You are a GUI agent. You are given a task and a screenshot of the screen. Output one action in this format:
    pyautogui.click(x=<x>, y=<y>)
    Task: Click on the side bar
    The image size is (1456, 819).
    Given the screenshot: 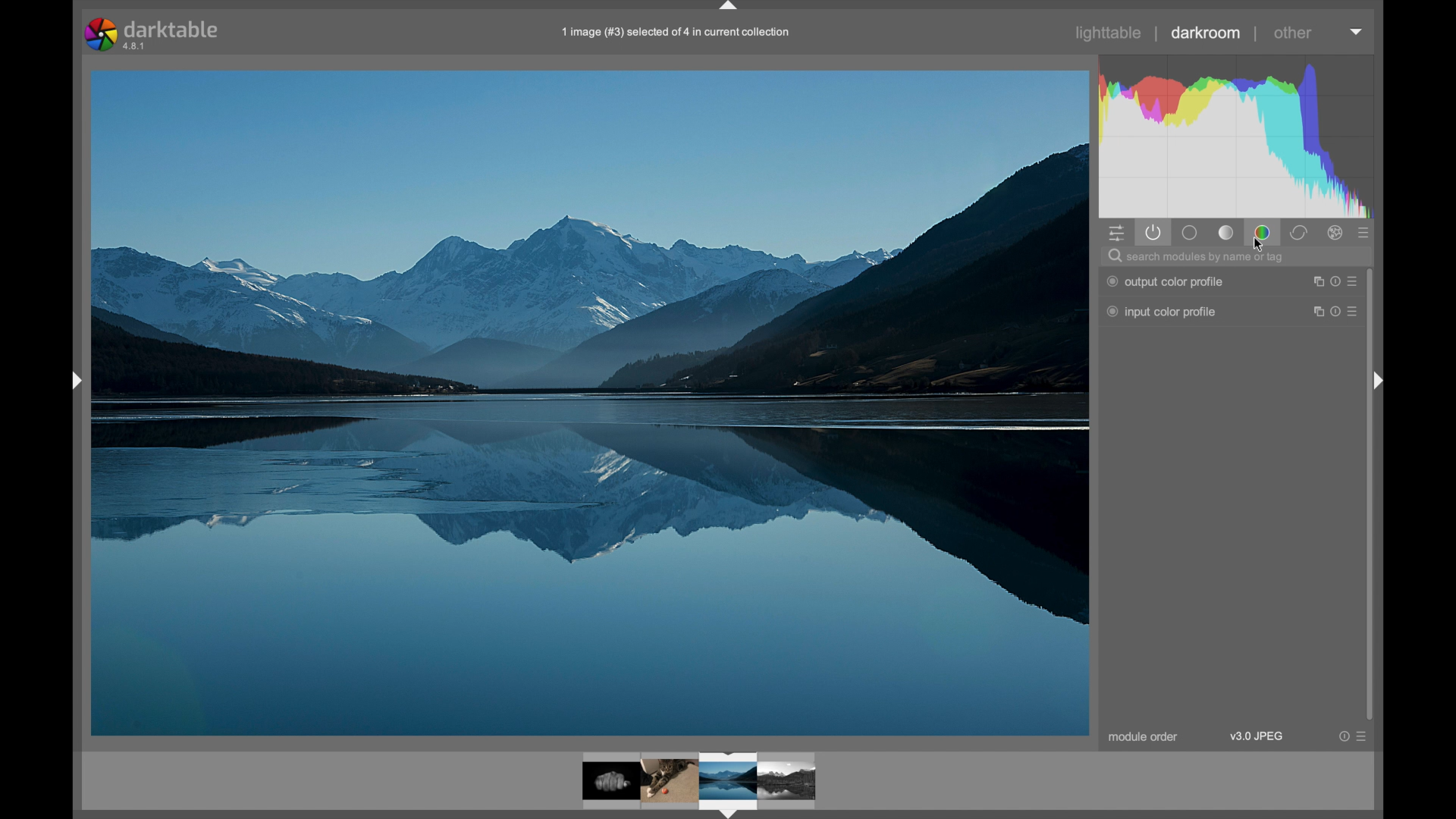 What is the action you would take?
    pyautogui.click(x=1379, y=381)
    